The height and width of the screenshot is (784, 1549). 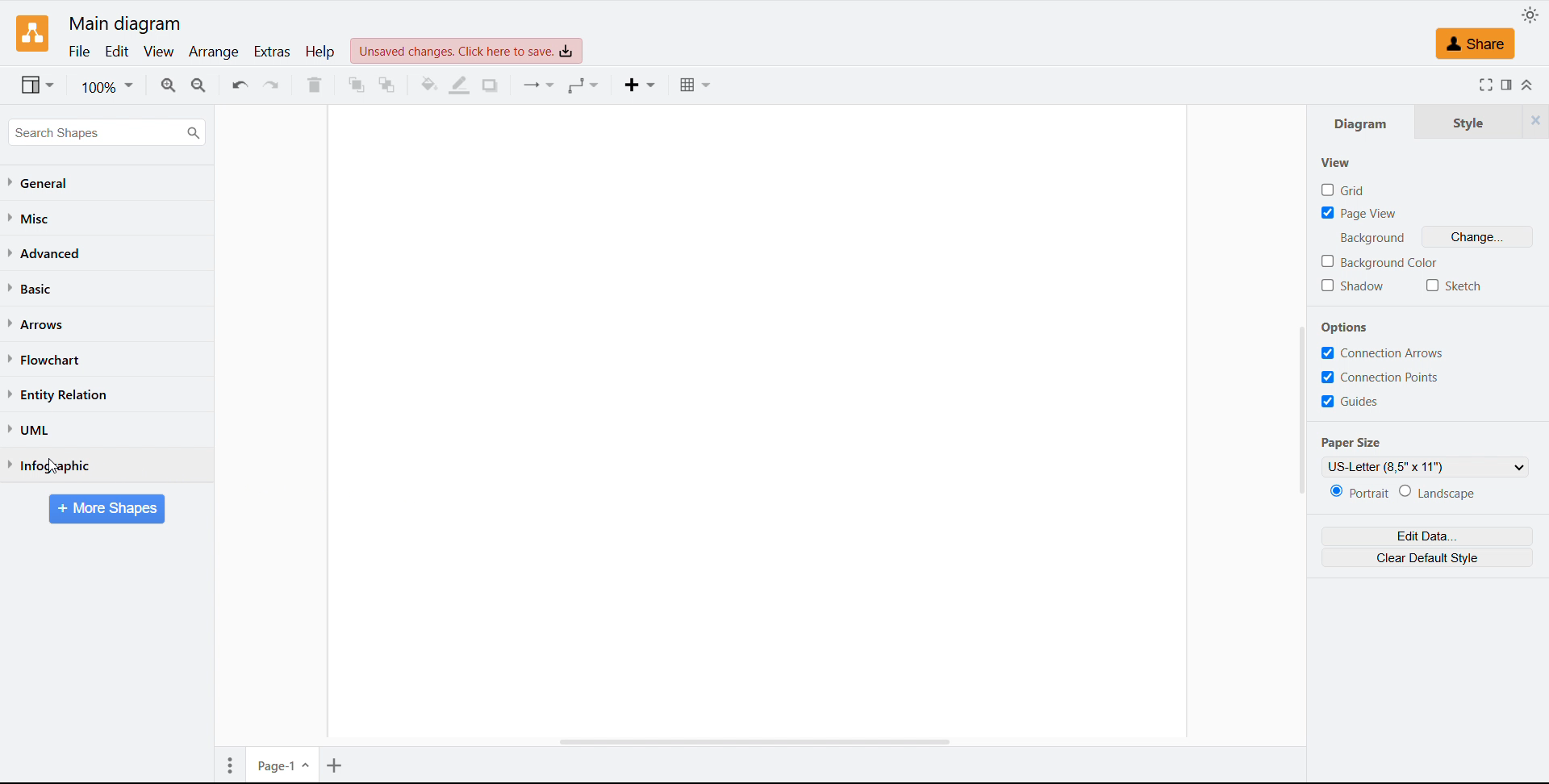 I want to click on Arrange , so click(x=215, y=52).